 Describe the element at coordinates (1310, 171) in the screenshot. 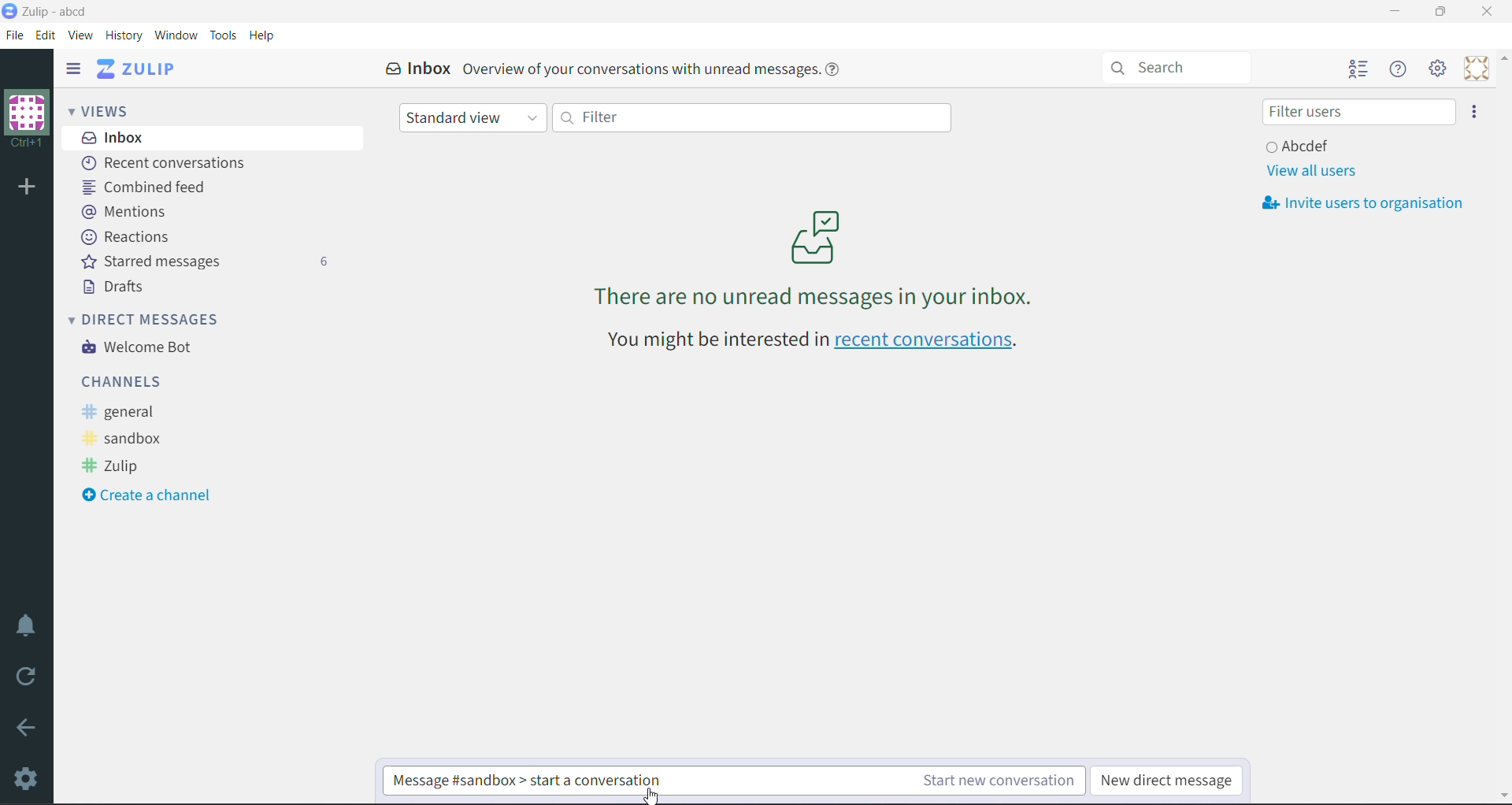

I see `View all users` at that location.